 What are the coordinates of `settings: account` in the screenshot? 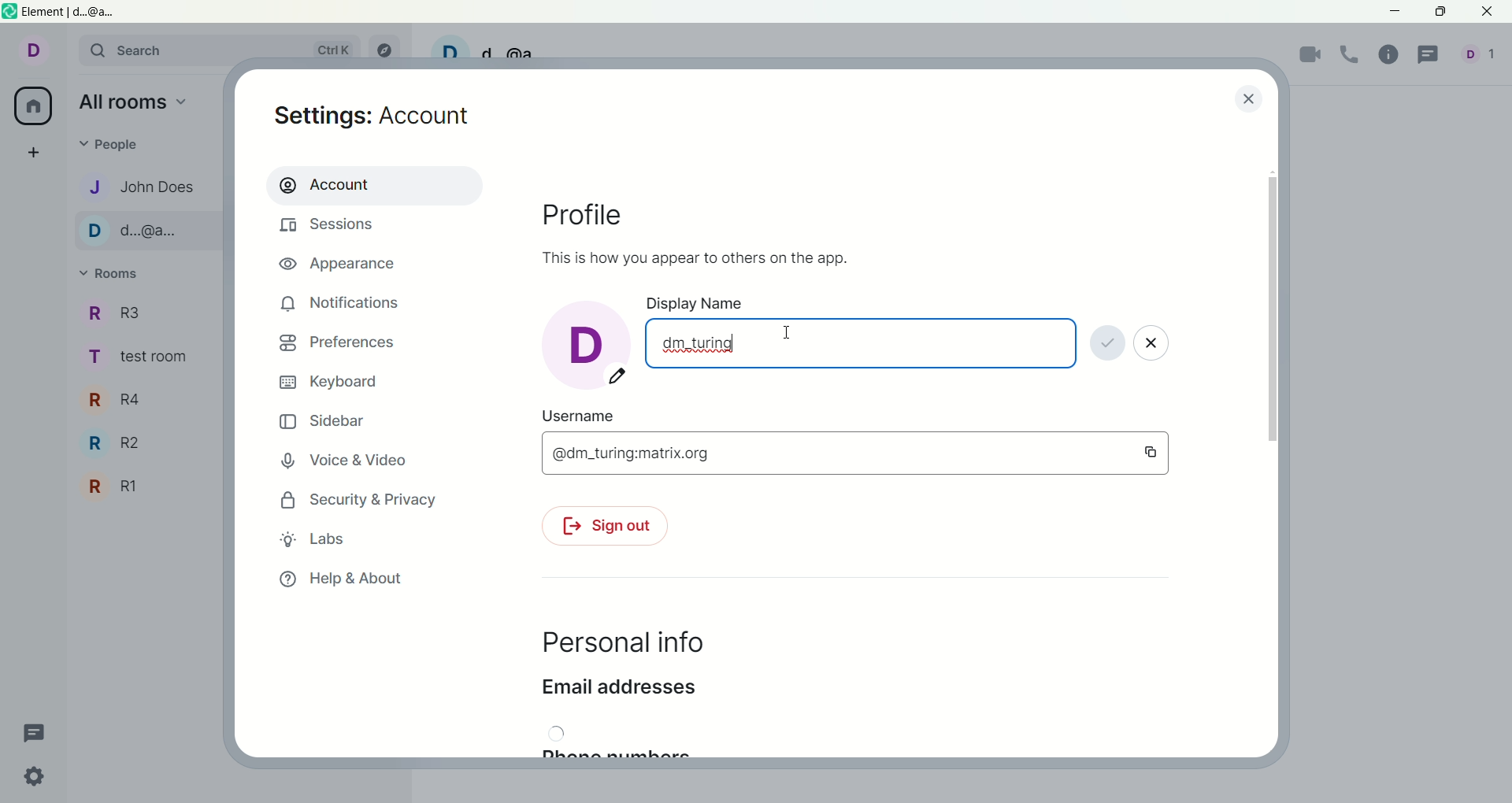 It's located at (377, 118).